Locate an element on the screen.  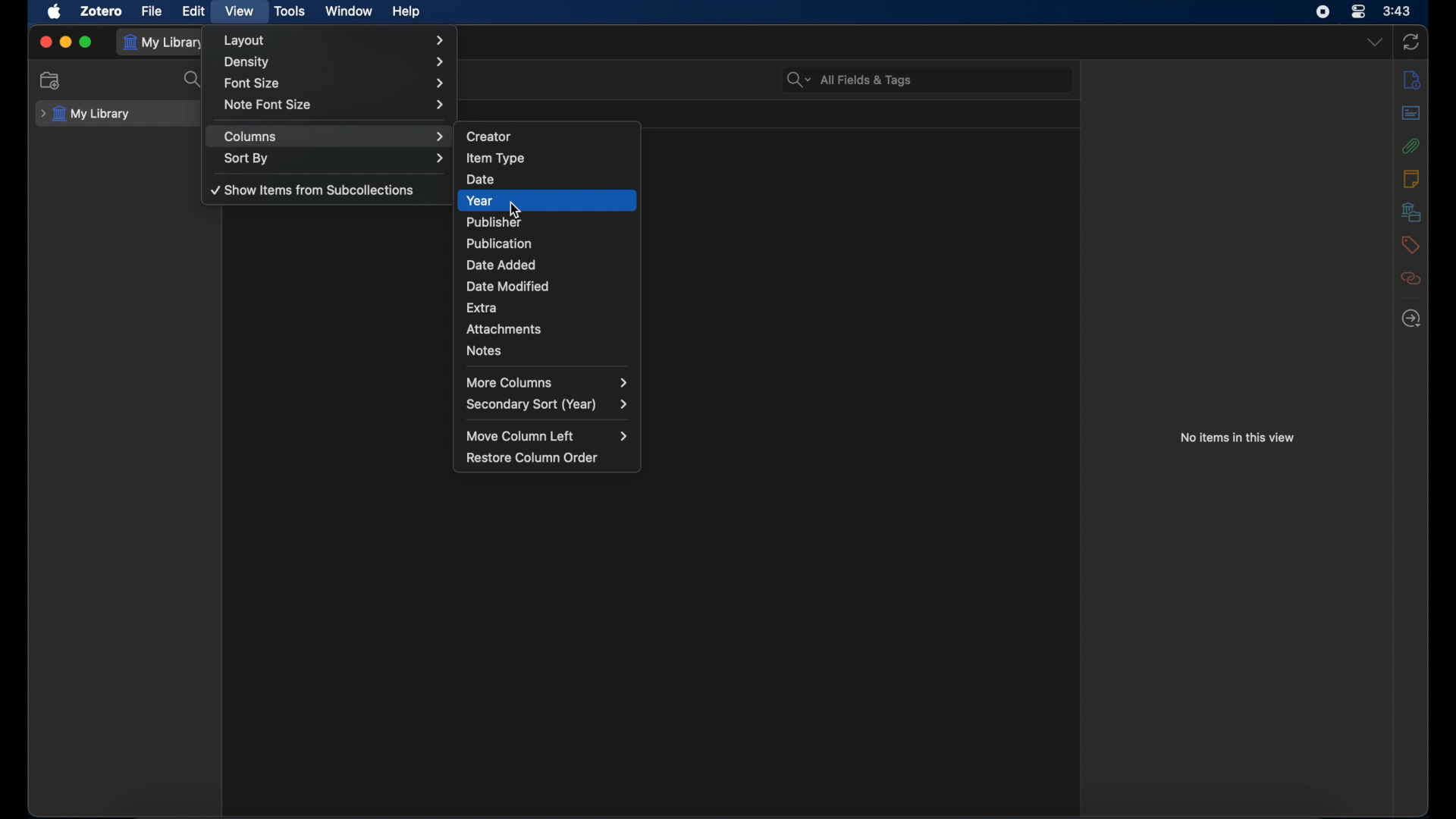
attachments is located at coordinates (547, 327).